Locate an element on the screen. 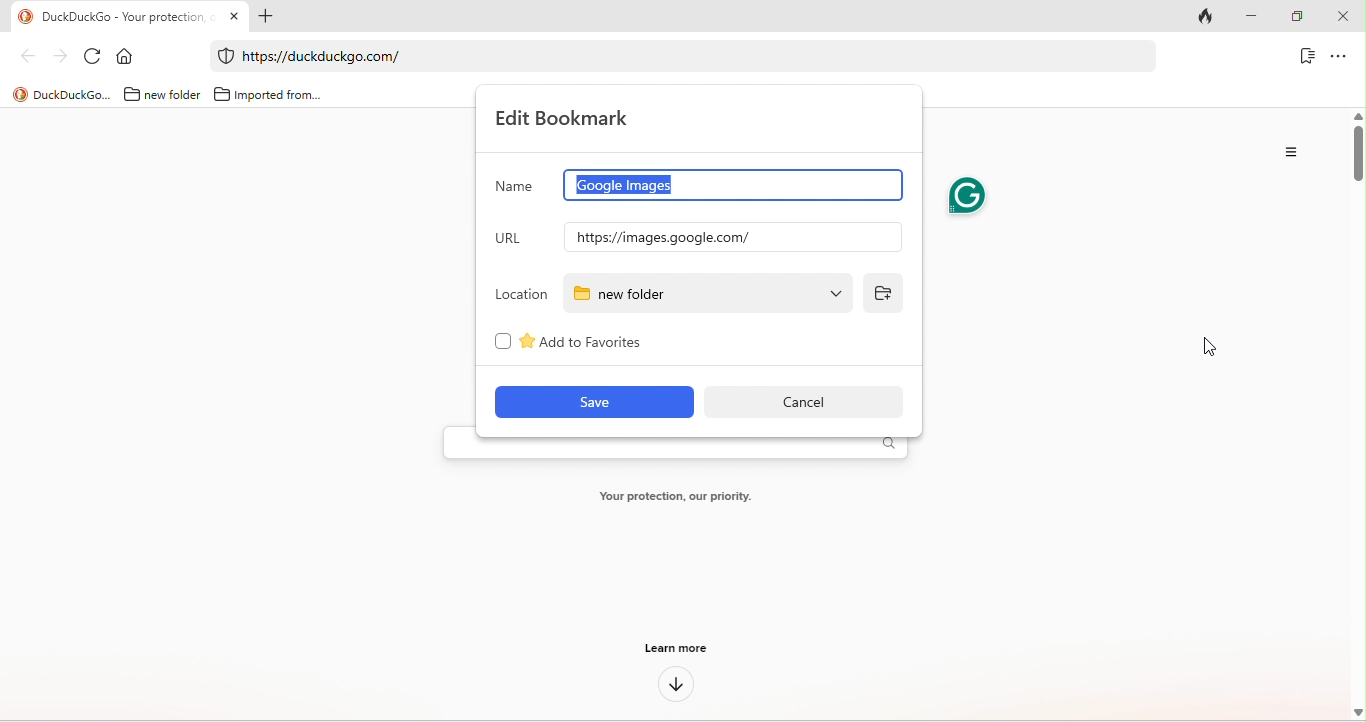 This screenshot has height=722, width=1366. url of google images is located at coordinates (731, 236).